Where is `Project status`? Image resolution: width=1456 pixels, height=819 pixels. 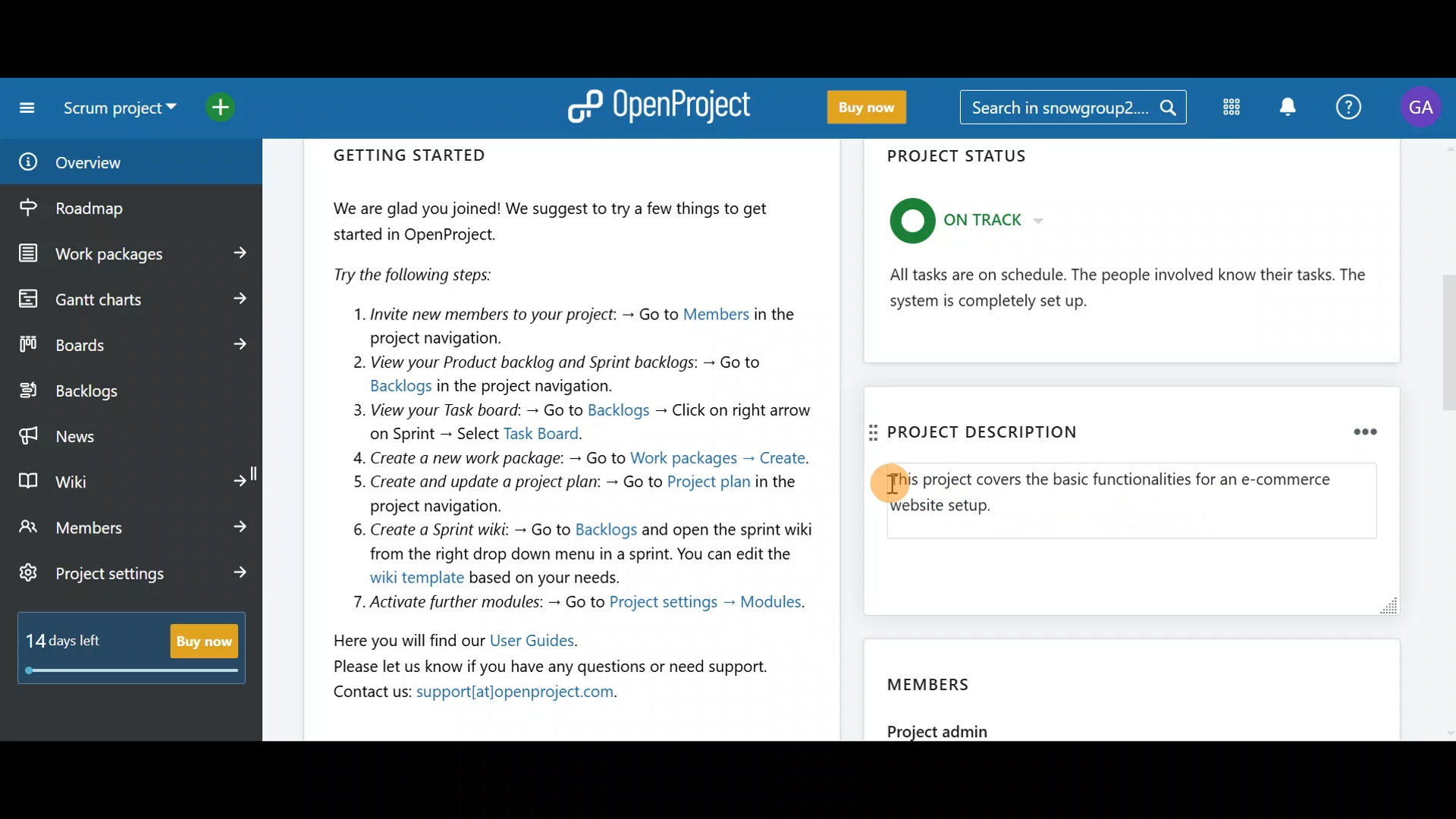
Project status is located at coordinates (1134, 256).